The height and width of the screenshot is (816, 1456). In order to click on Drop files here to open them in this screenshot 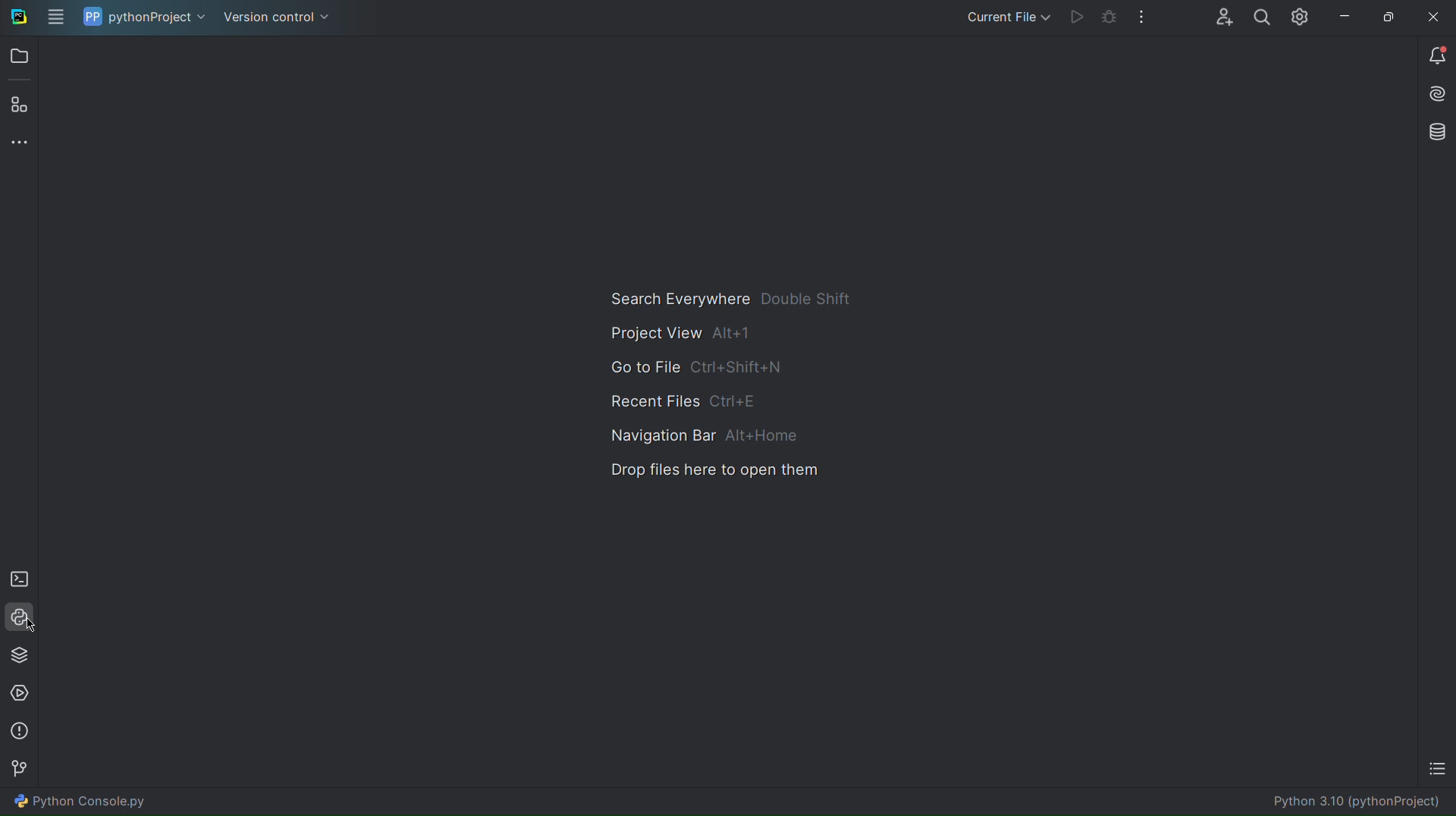, I will do `click(713, 472)`.